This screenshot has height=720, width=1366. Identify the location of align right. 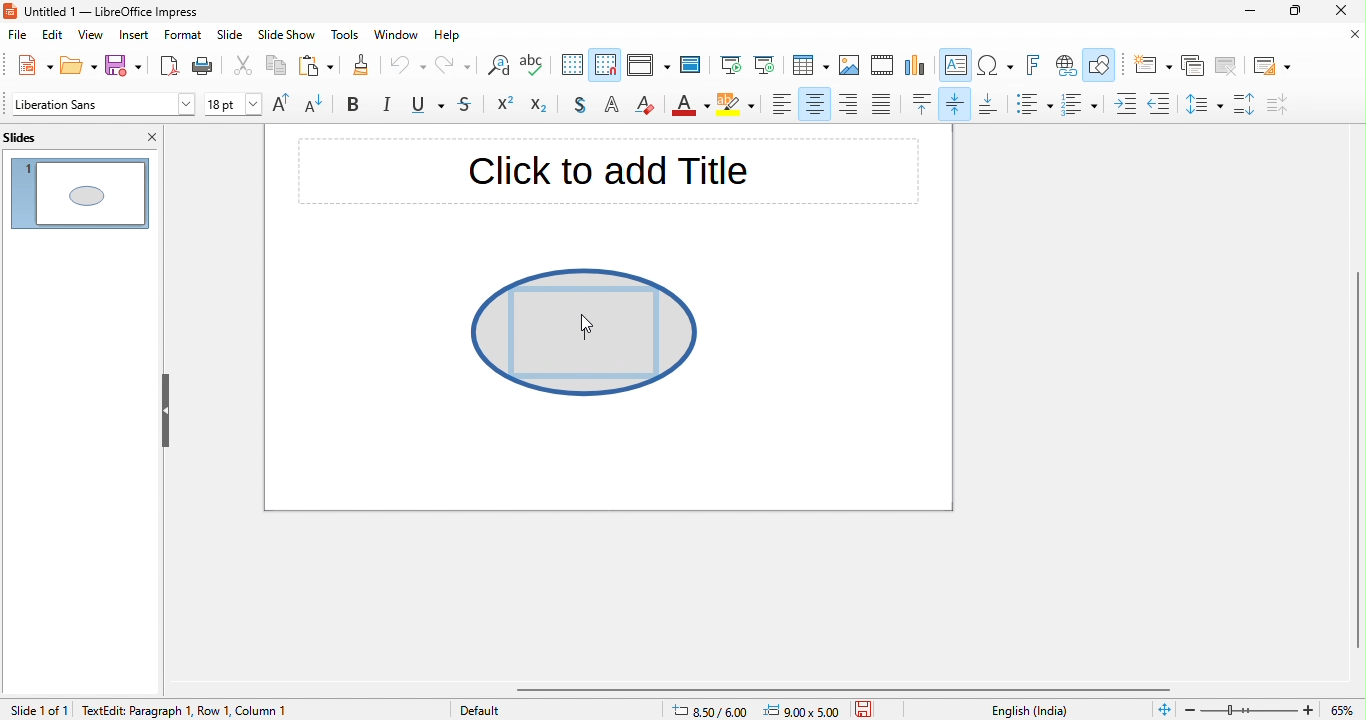
(849, 103).